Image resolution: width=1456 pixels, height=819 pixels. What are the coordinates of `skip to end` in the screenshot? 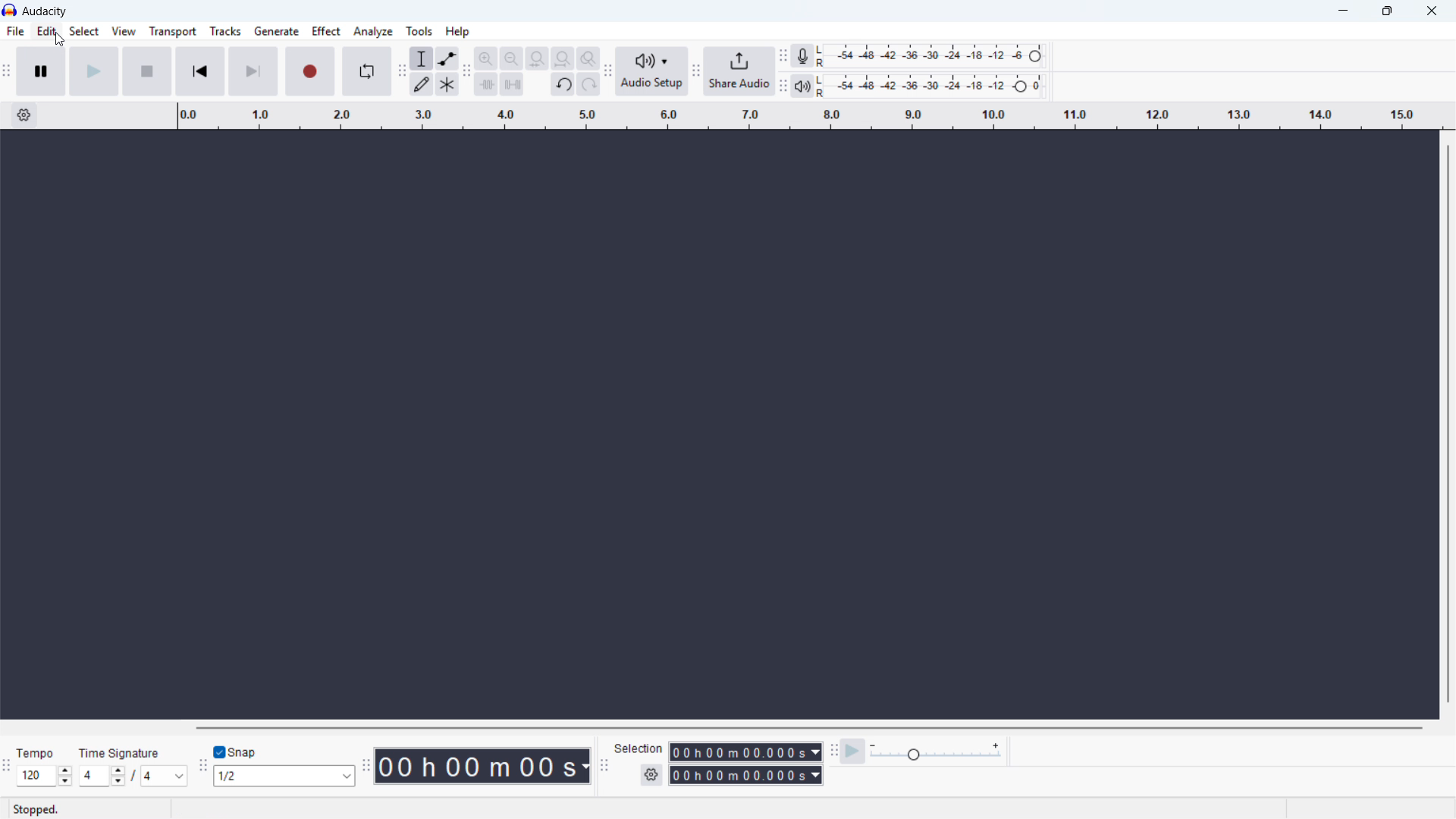 It's located at (253, 71).